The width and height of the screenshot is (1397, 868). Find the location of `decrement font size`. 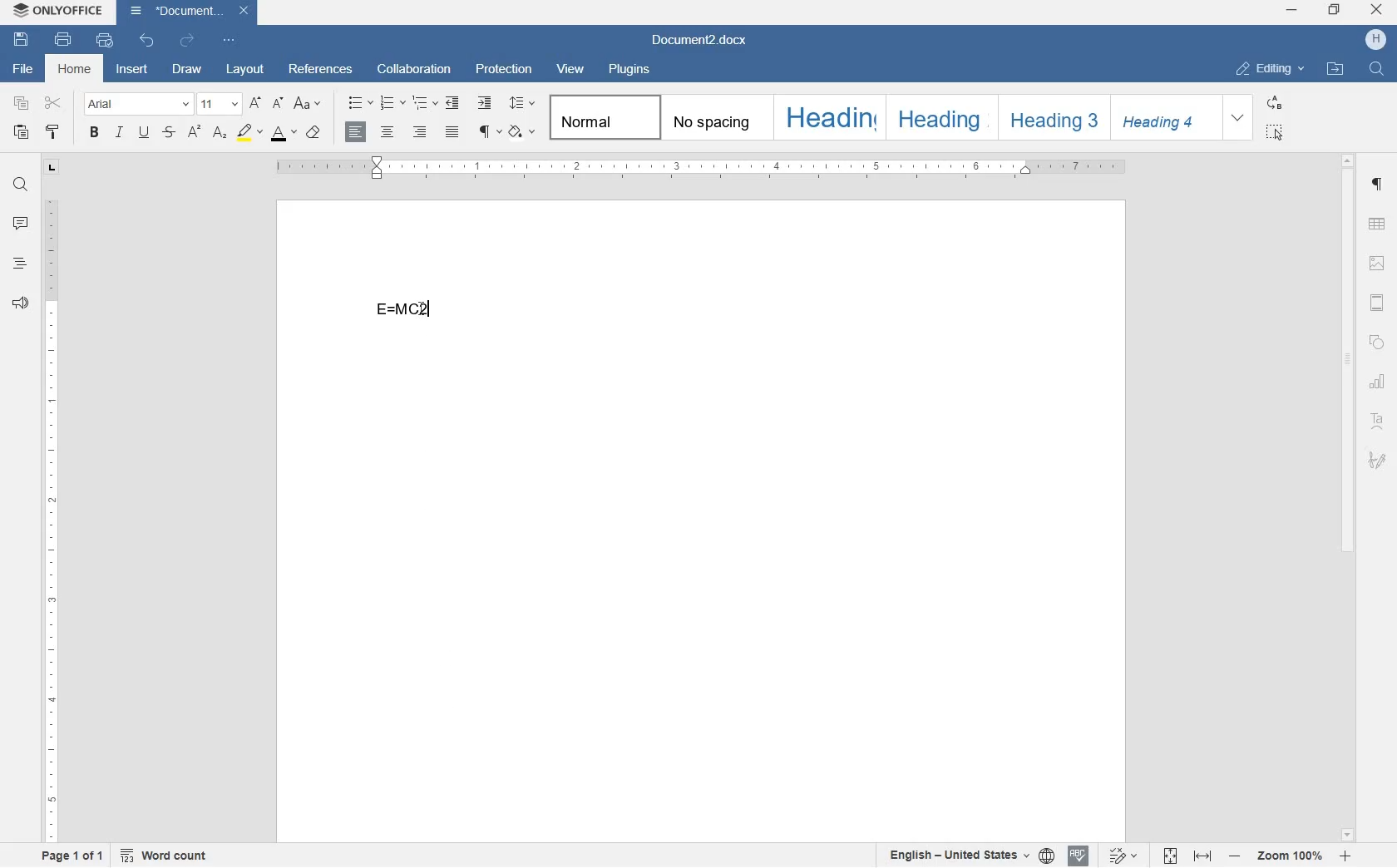

decrement font size is located at coordinates (276, 103).